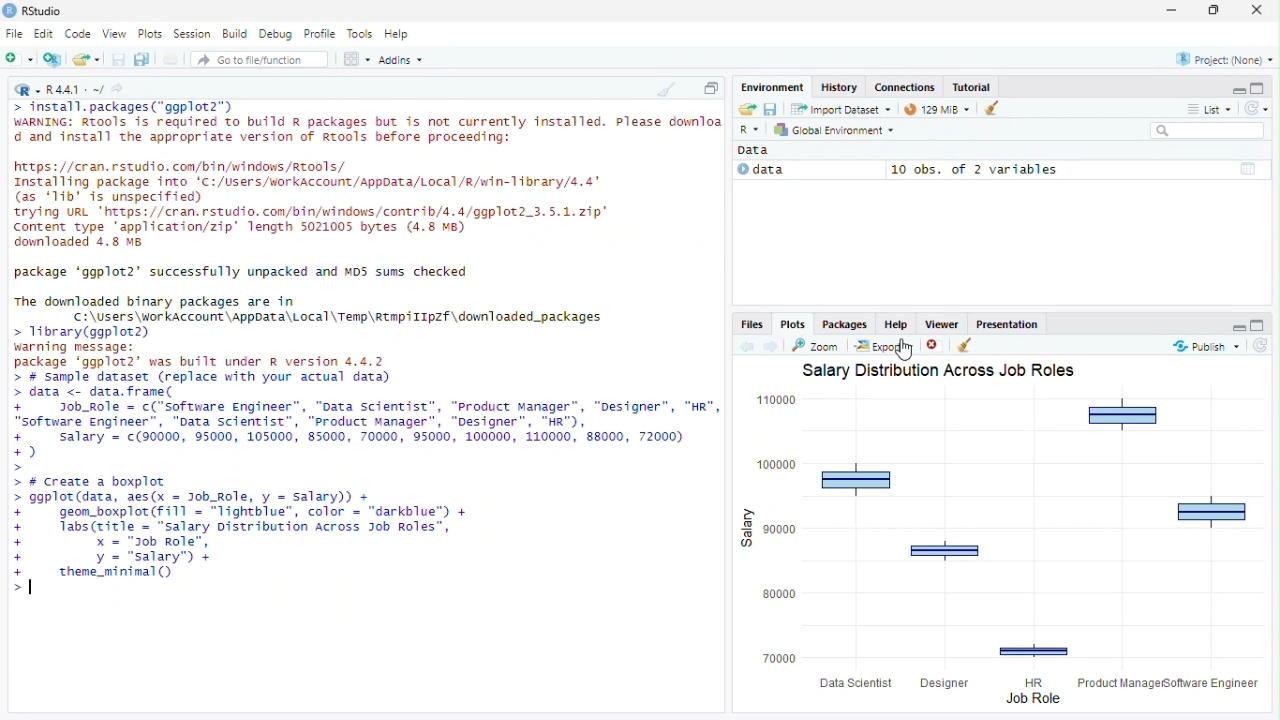  I want to click on Open an existing file, so click(86, 58).